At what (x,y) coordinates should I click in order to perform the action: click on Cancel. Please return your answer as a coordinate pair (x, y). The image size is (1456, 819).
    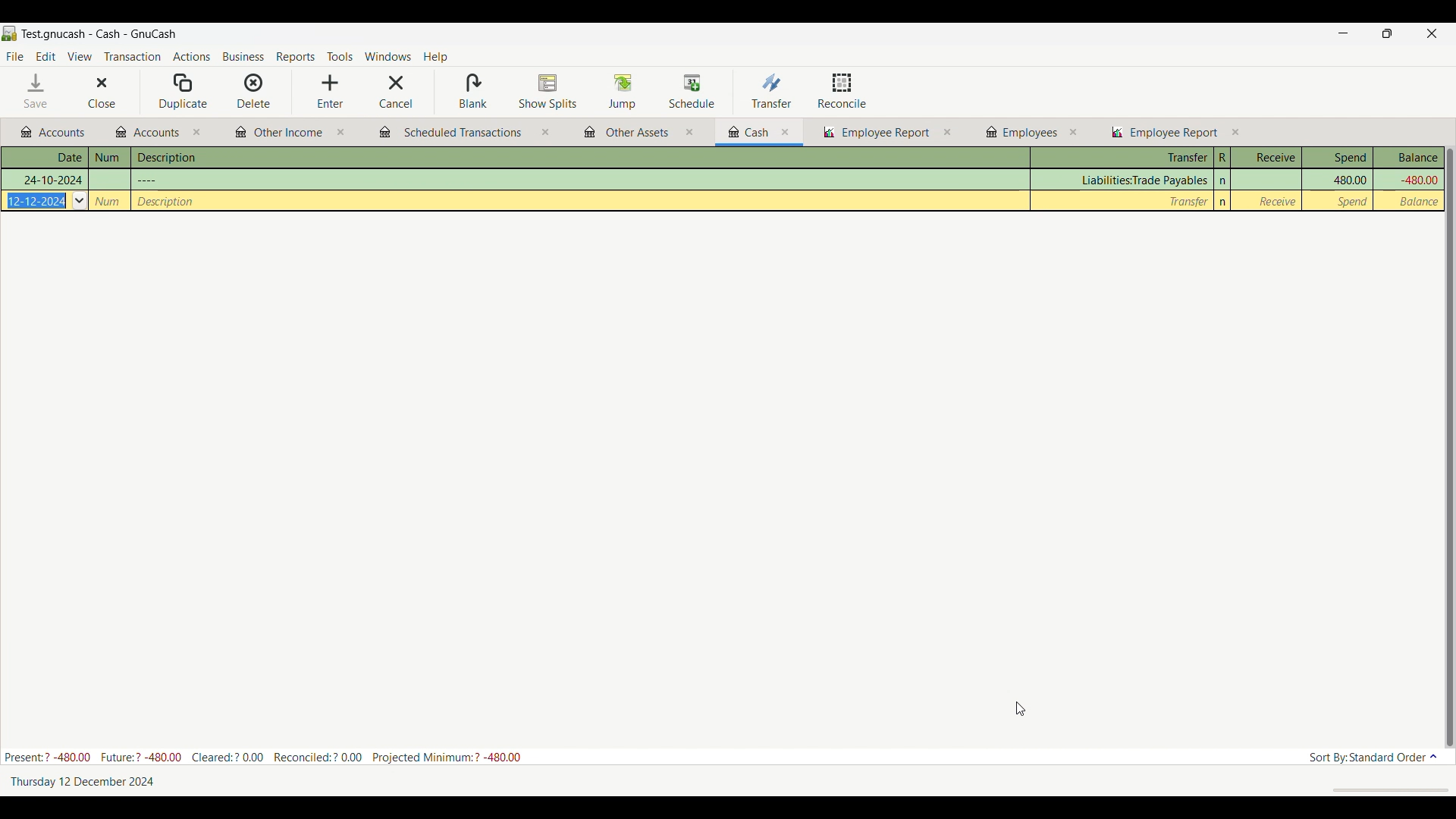
    Looking at the image, I should click on (398, 92).